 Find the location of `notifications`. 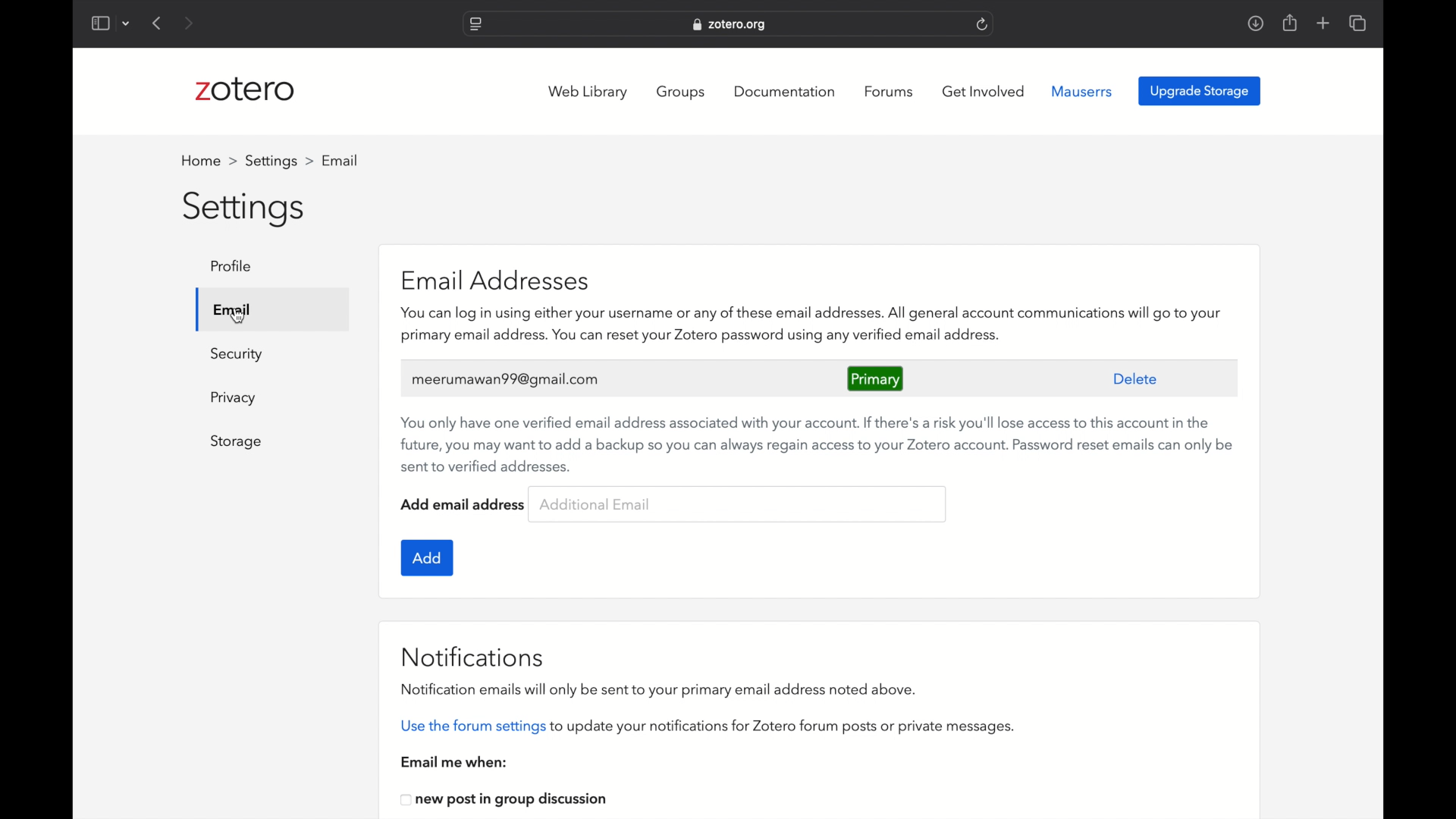

notifications is located at coordinates (475, 657).